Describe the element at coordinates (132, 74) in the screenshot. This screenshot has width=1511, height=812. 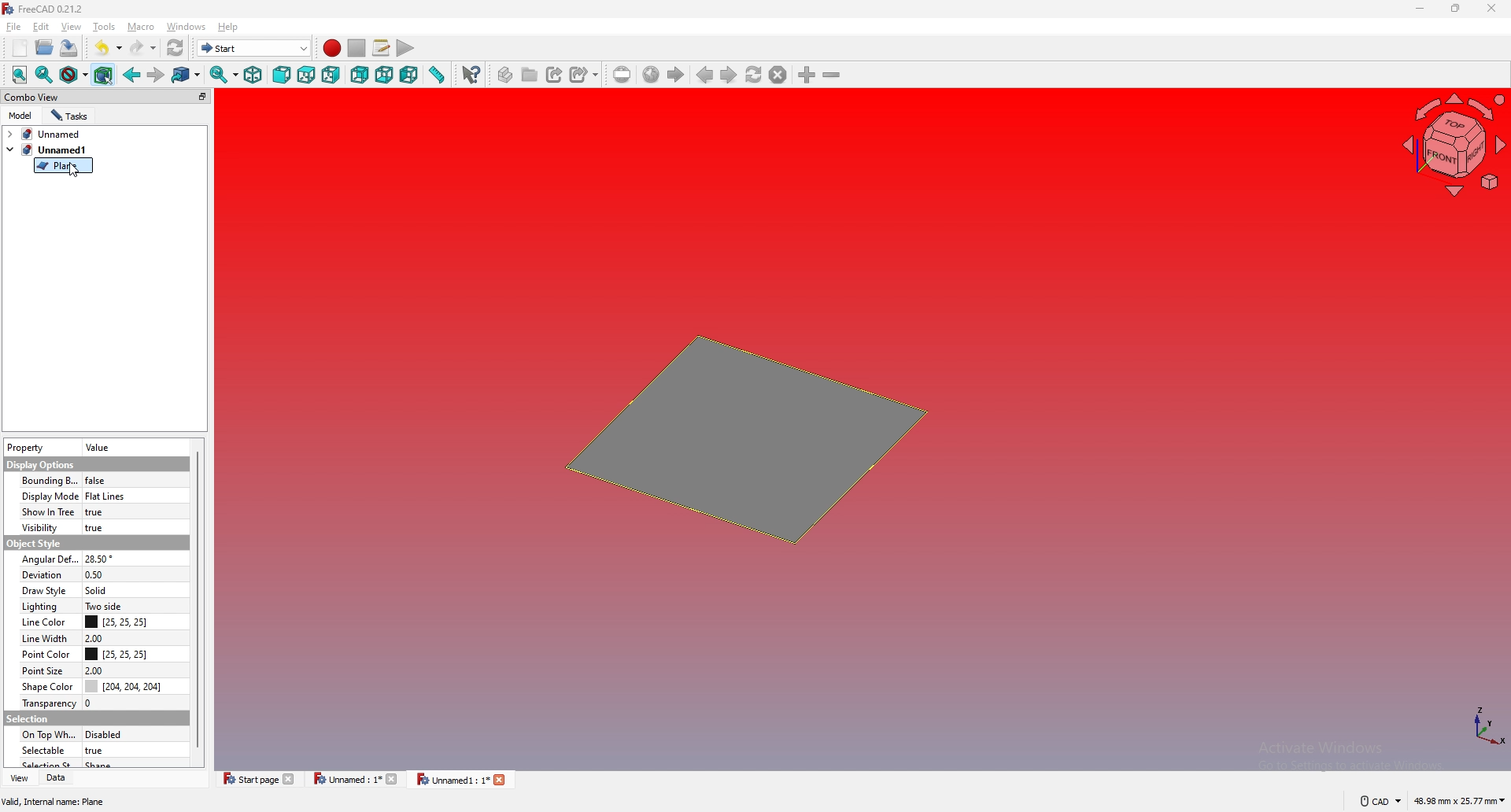
I see `back` at that location.